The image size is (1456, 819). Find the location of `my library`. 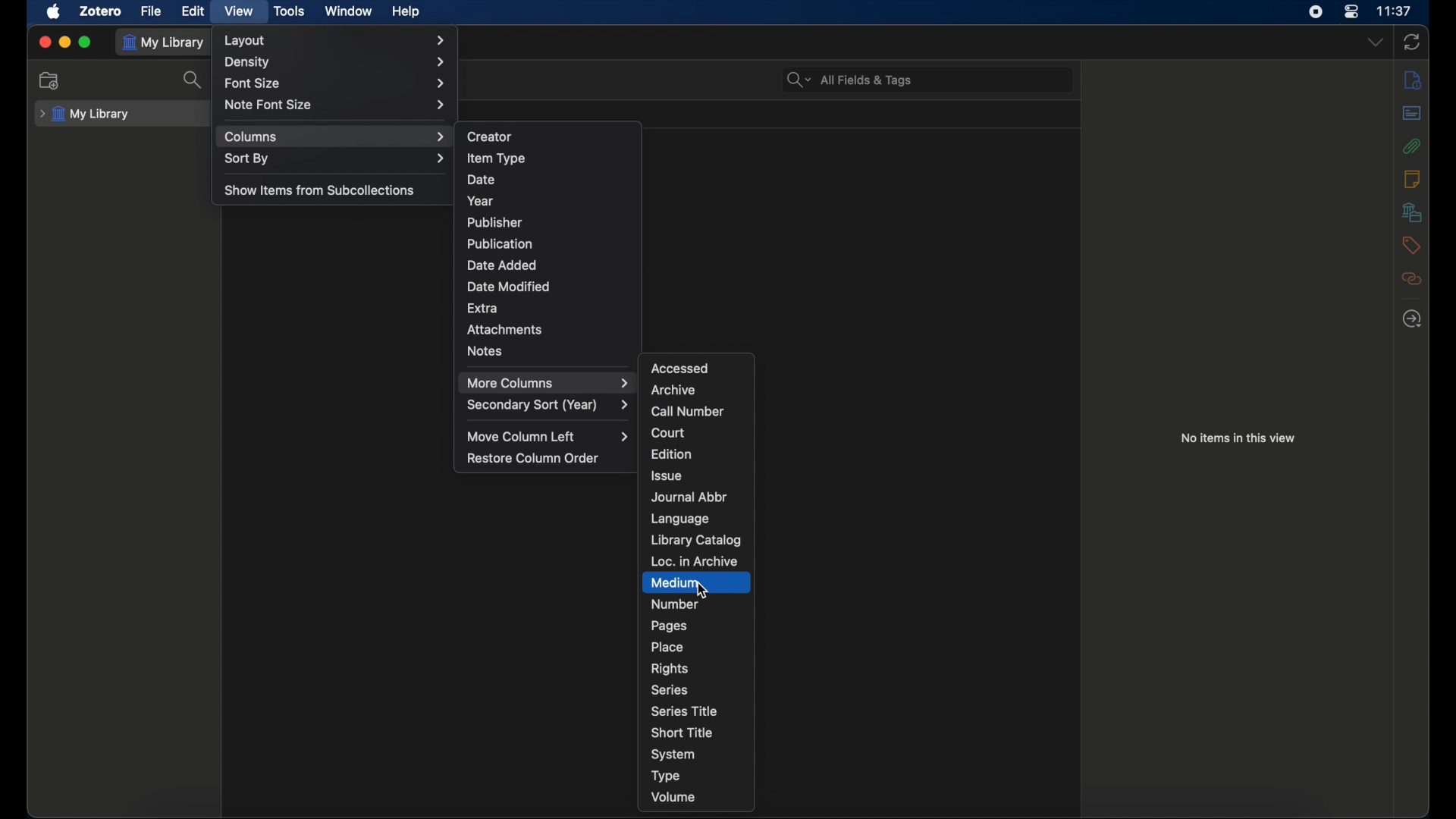

my library is located at coordinates (85, 114).